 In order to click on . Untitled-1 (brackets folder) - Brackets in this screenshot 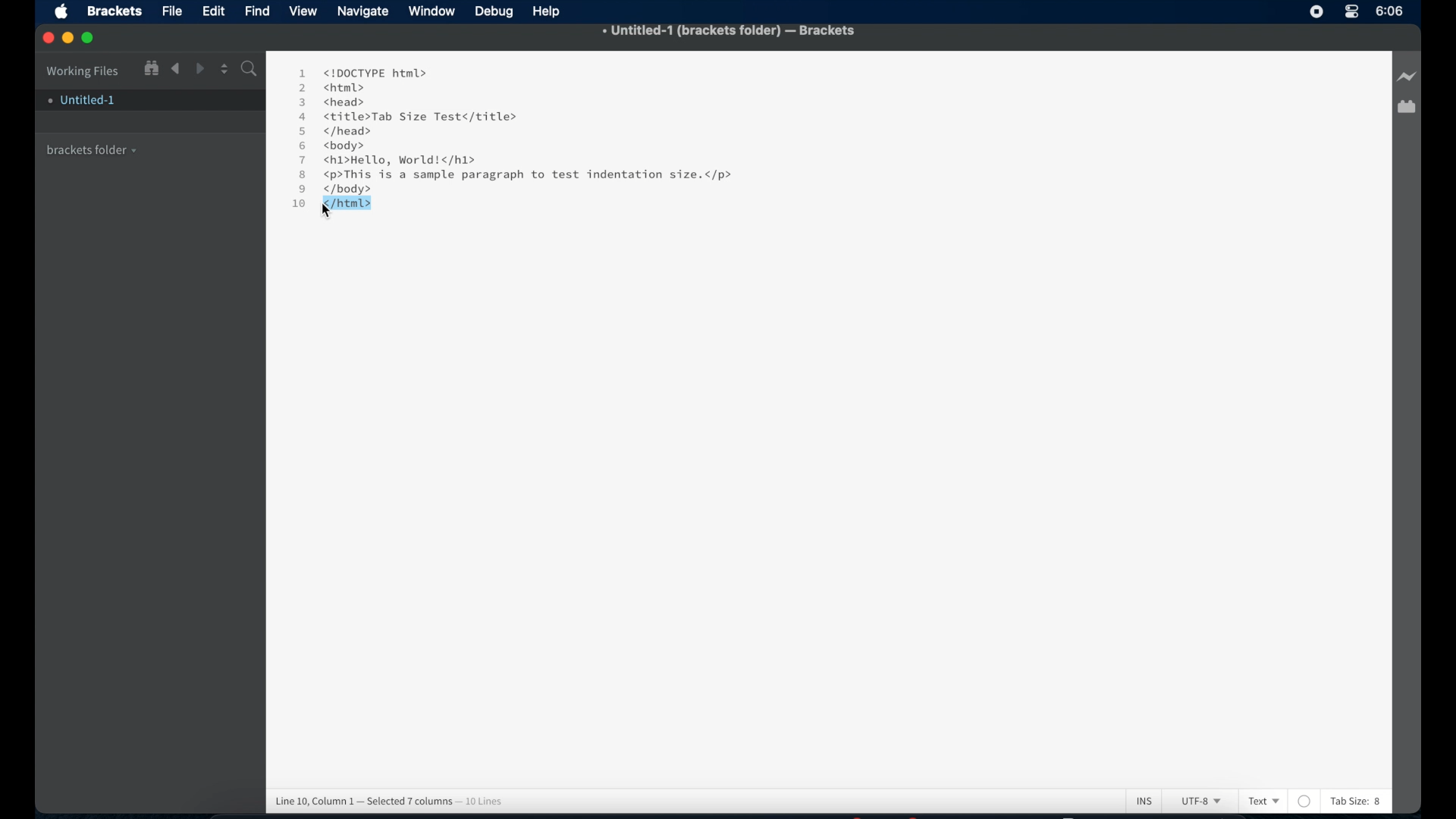, I will do `click(730, 32)`.